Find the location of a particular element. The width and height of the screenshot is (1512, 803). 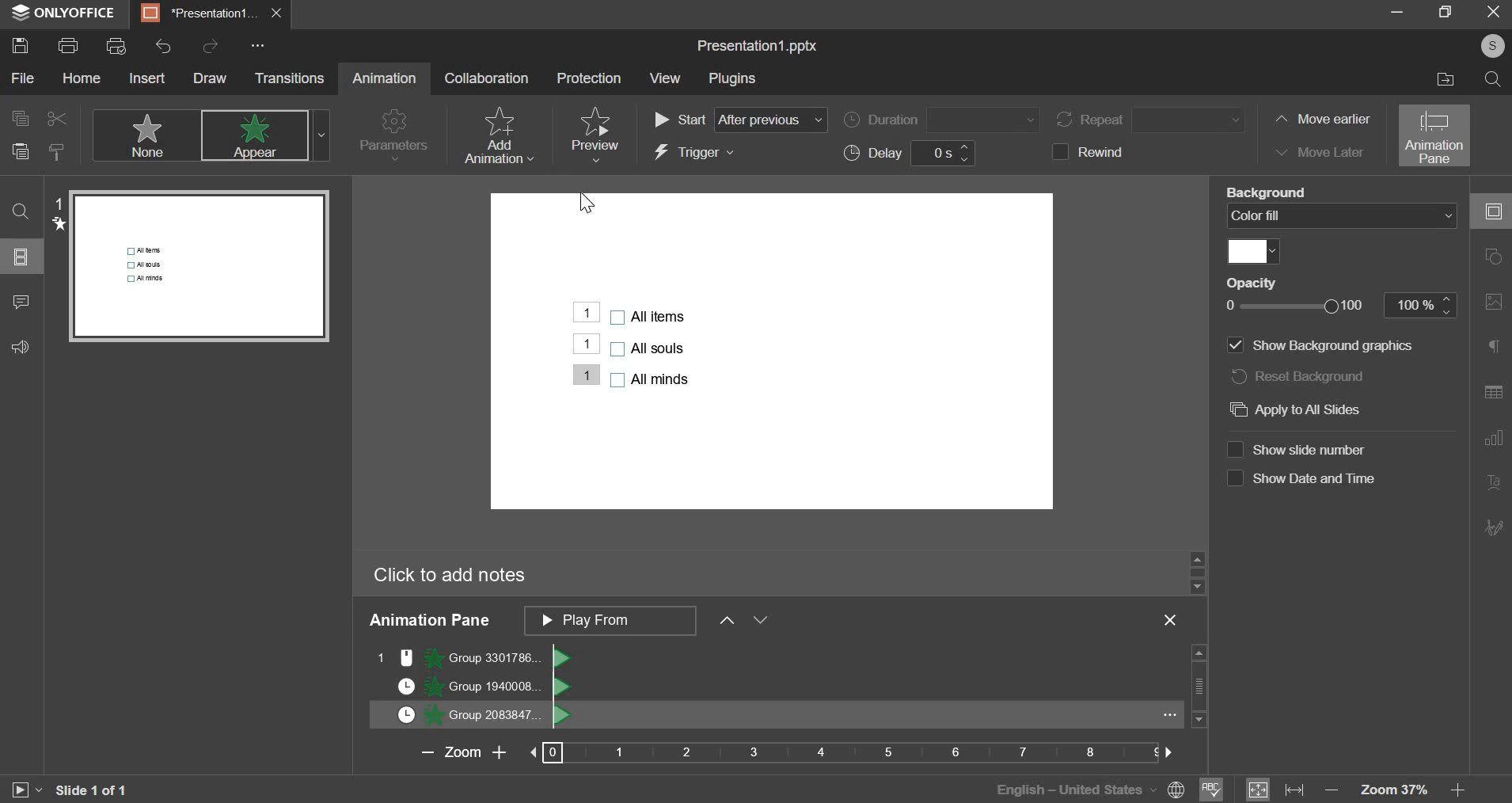

protection is located at coordinates (587, 78).